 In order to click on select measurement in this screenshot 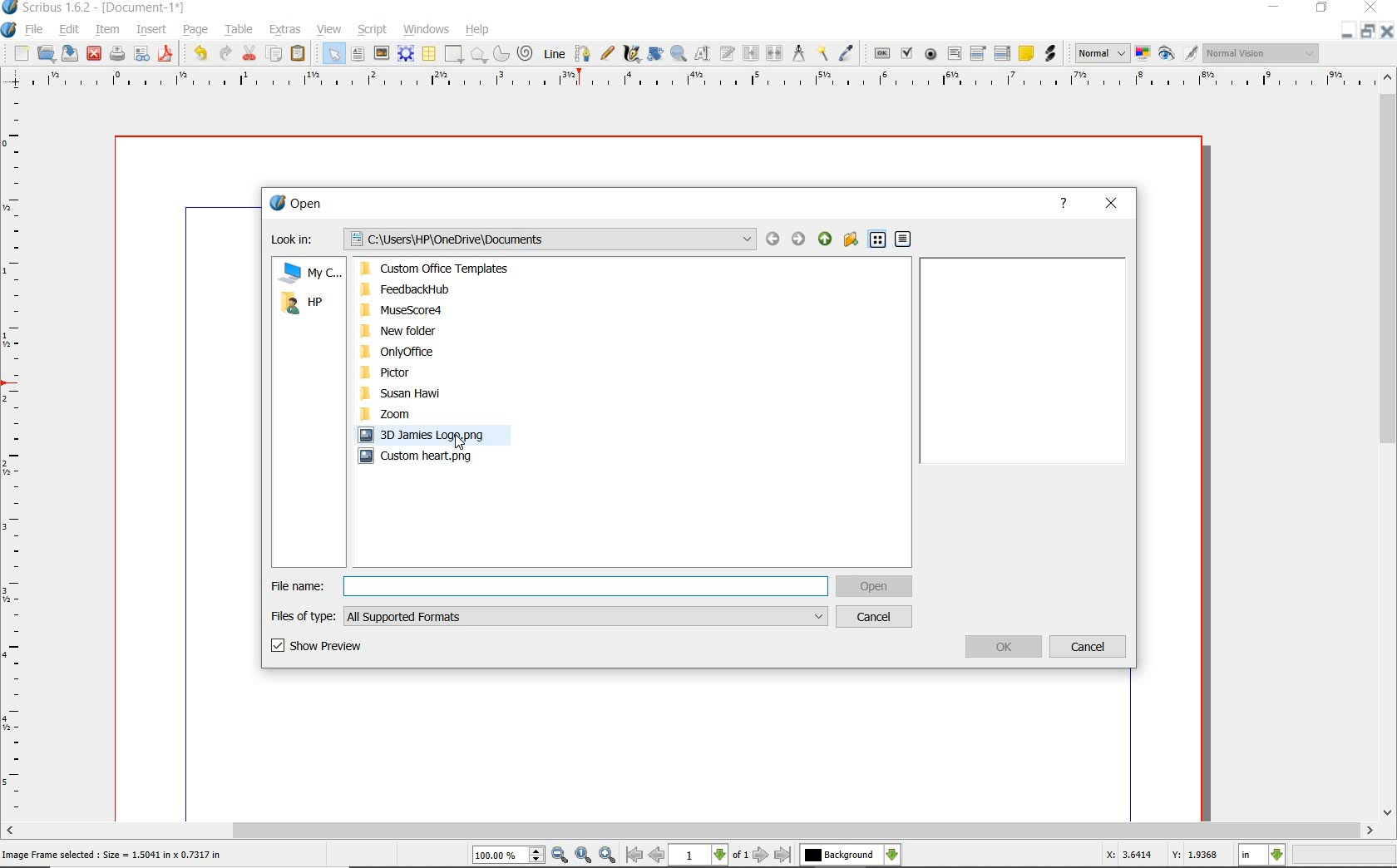, I will do `click(1262, 855)`.